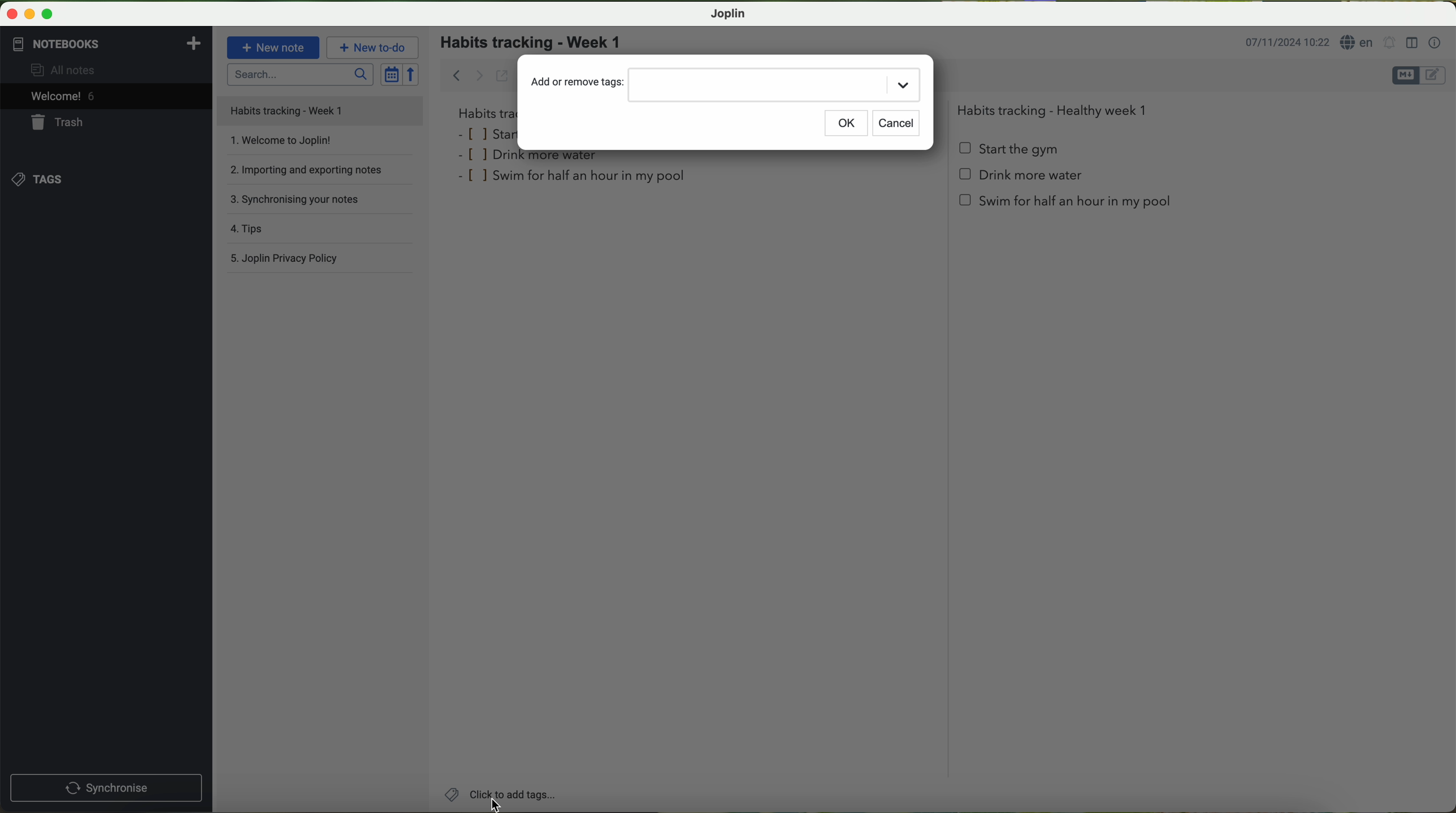  What do you see at coordinates (59, 122) in the screenshot?
I see `trash` at bounding box center [59, 122].